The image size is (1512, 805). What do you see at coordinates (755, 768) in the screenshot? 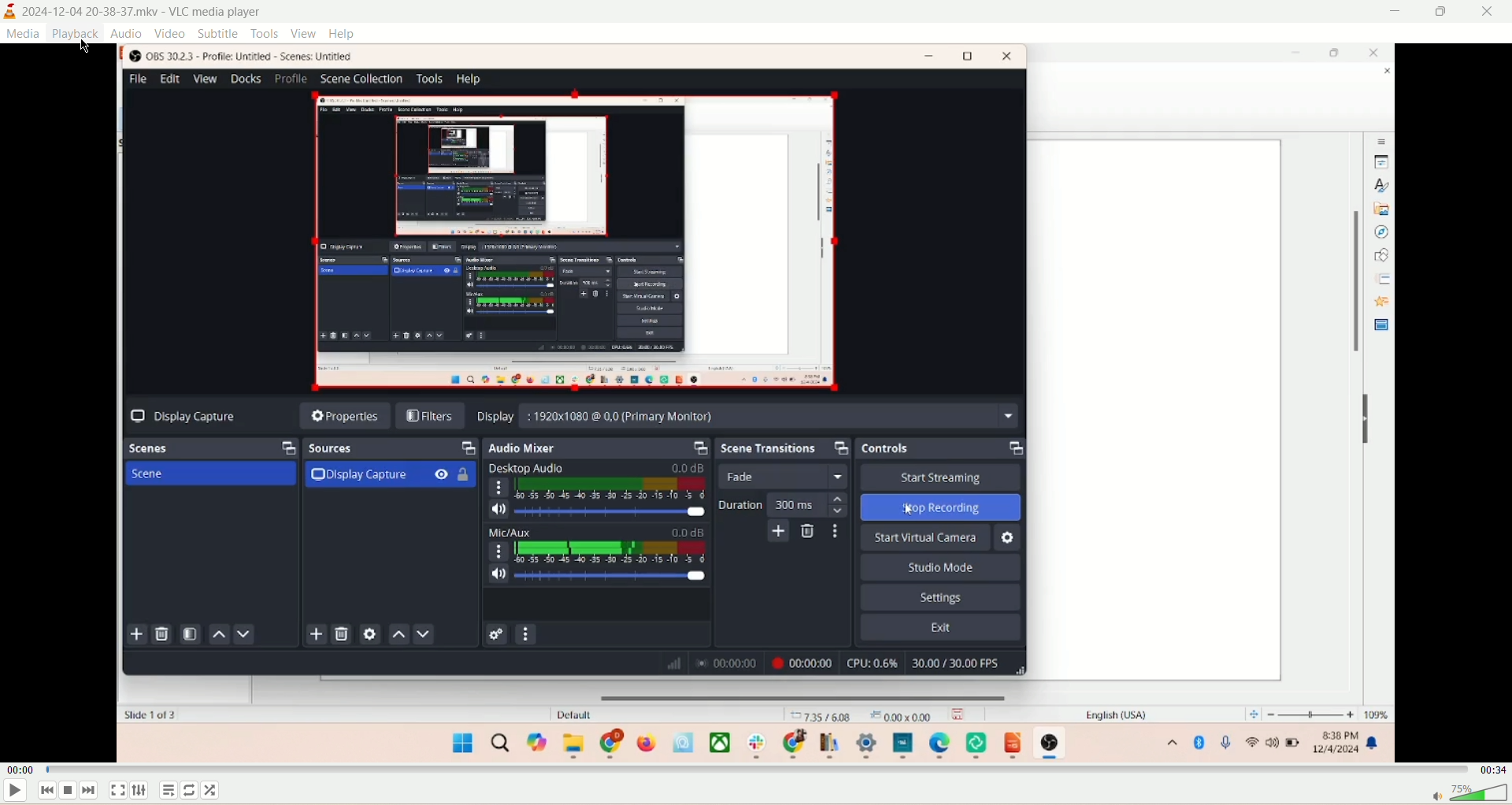
I see `progress bar` at bounding box center [755, 768].